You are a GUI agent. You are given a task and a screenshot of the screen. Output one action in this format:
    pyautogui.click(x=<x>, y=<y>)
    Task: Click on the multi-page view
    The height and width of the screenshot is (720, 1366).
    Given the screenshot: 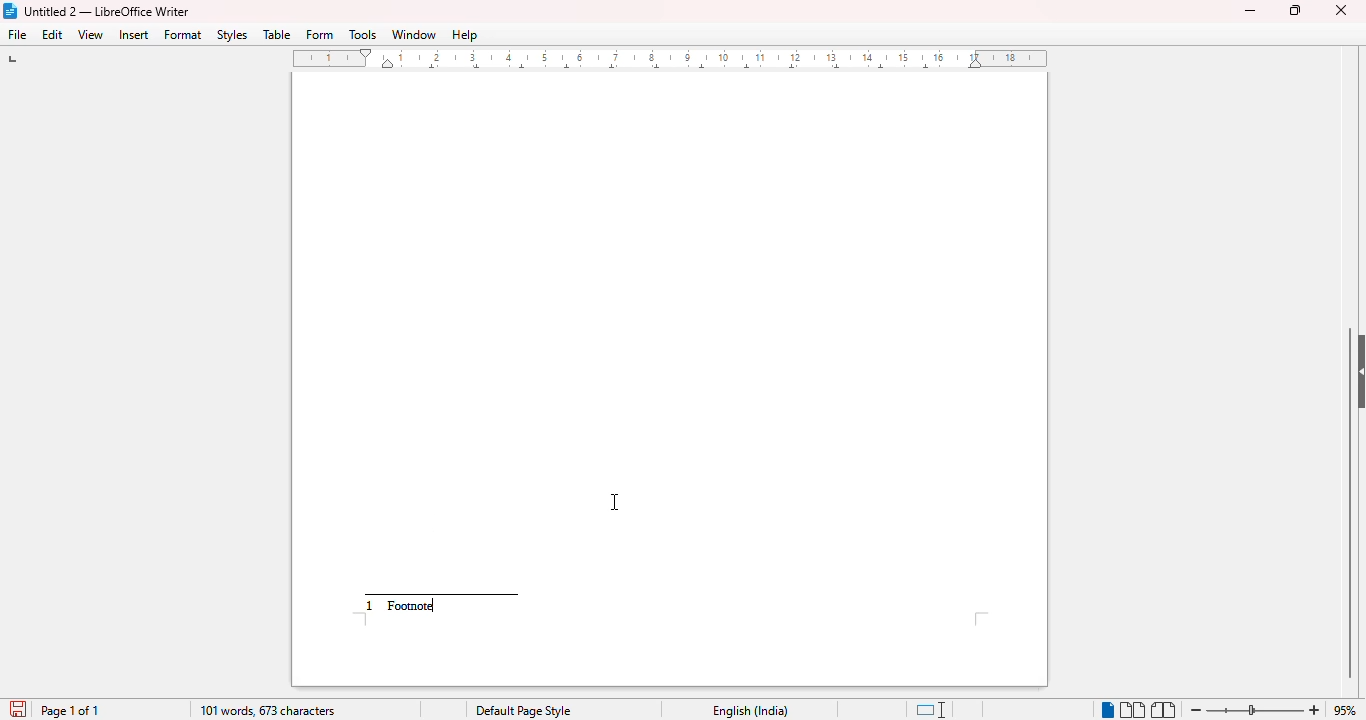 What is the action you would take?
    pyautogui.click(x=1133, y=710)
    